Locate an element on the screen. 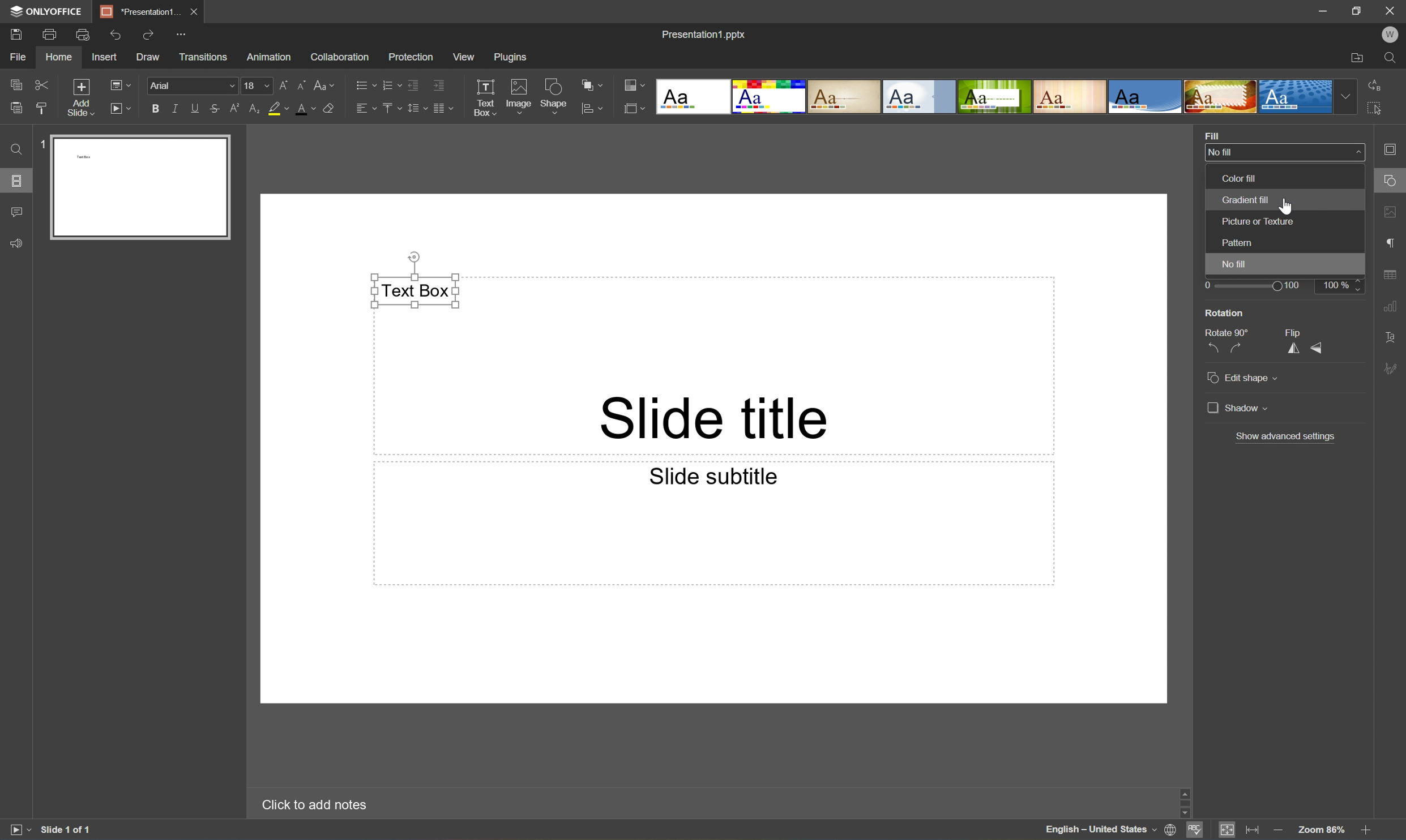 This screenshot has width=1406, height=840. Insert is located at coordinates (102, 57).